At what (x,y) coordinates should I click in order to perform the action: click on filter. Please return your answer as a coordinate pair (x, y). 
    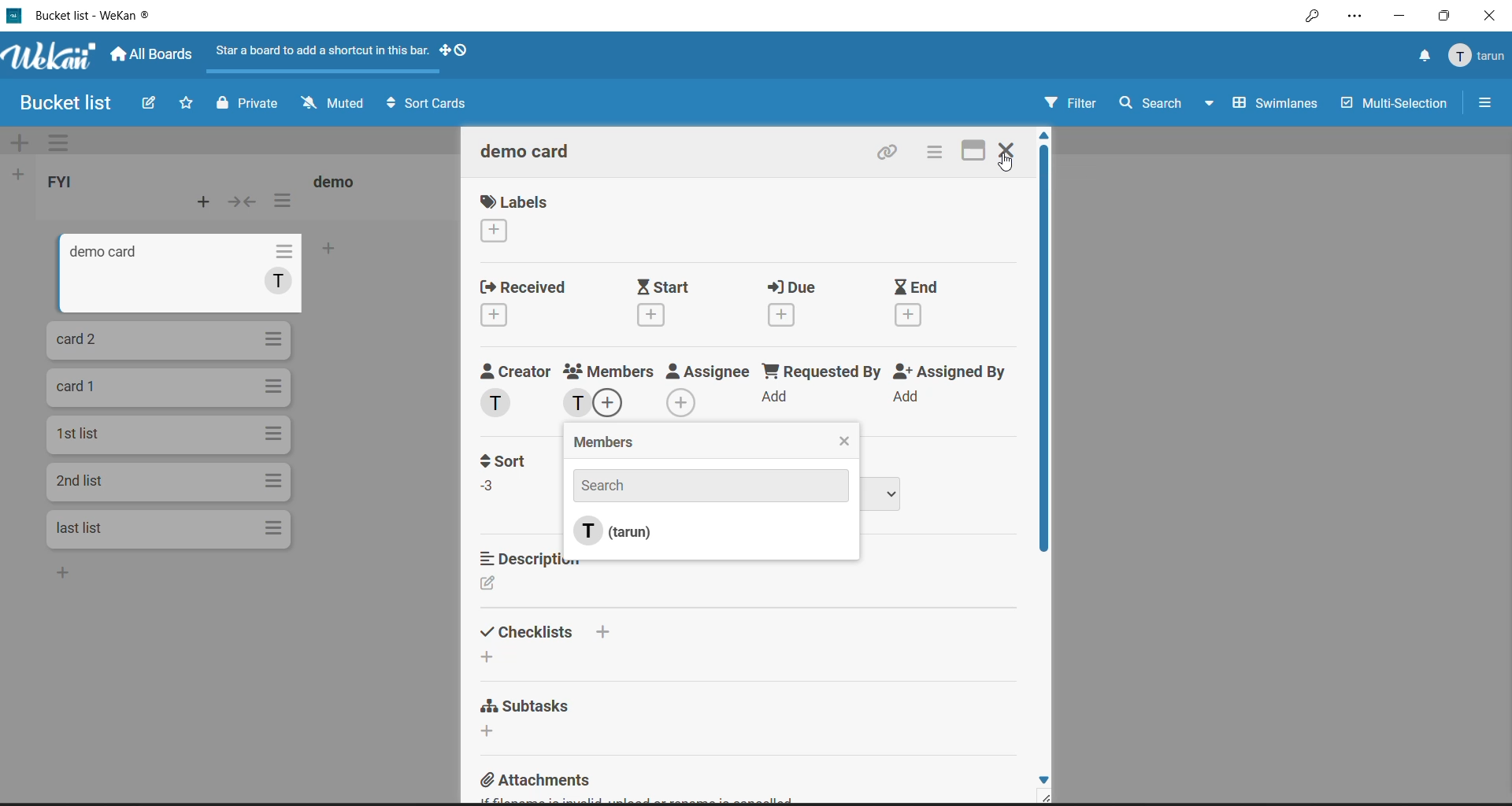
    Looking at the image, I should click on (1069, 102).